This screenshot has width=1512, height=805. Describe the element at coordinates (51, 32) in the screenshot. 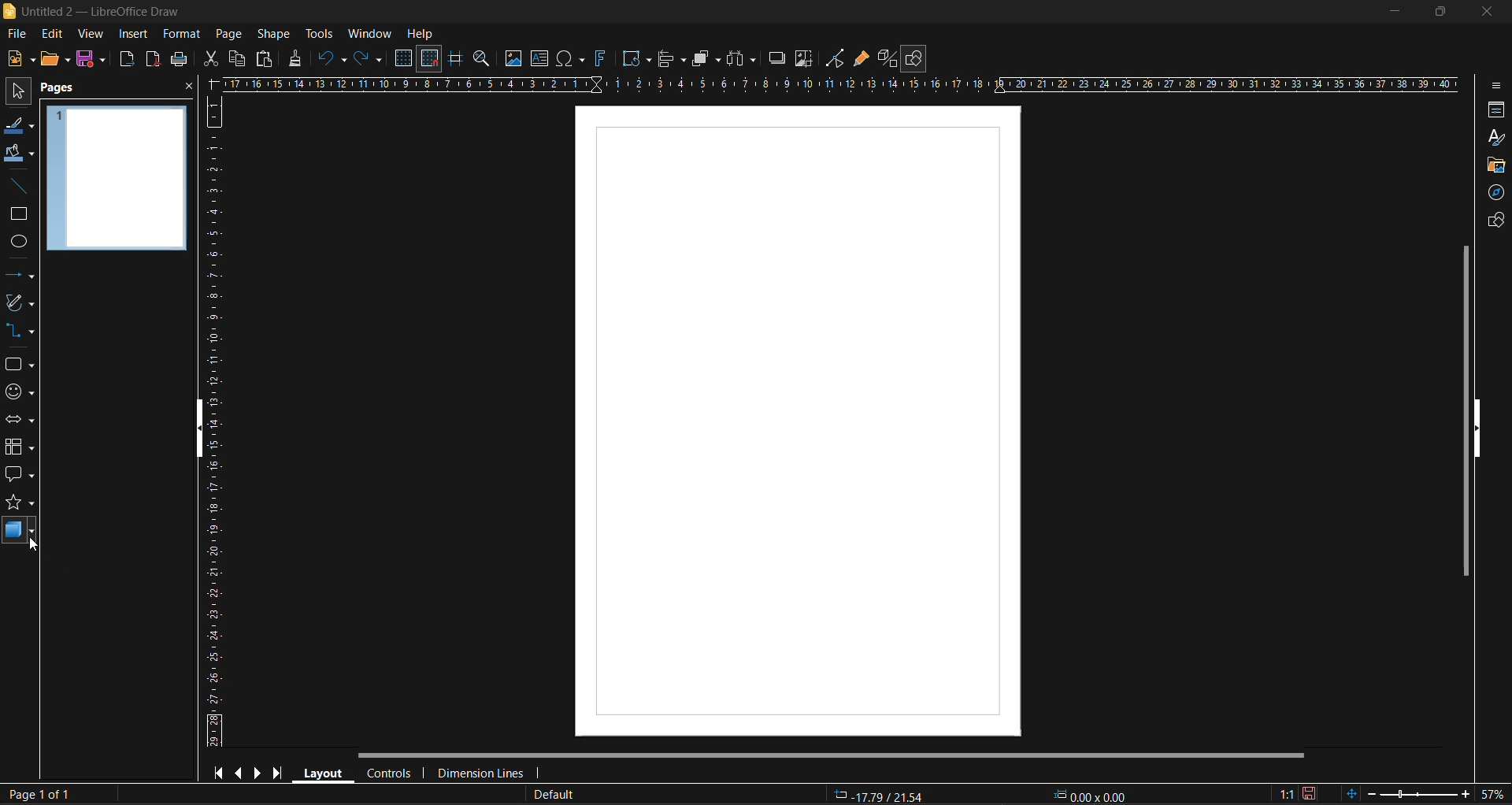

I see `edit` at that location.